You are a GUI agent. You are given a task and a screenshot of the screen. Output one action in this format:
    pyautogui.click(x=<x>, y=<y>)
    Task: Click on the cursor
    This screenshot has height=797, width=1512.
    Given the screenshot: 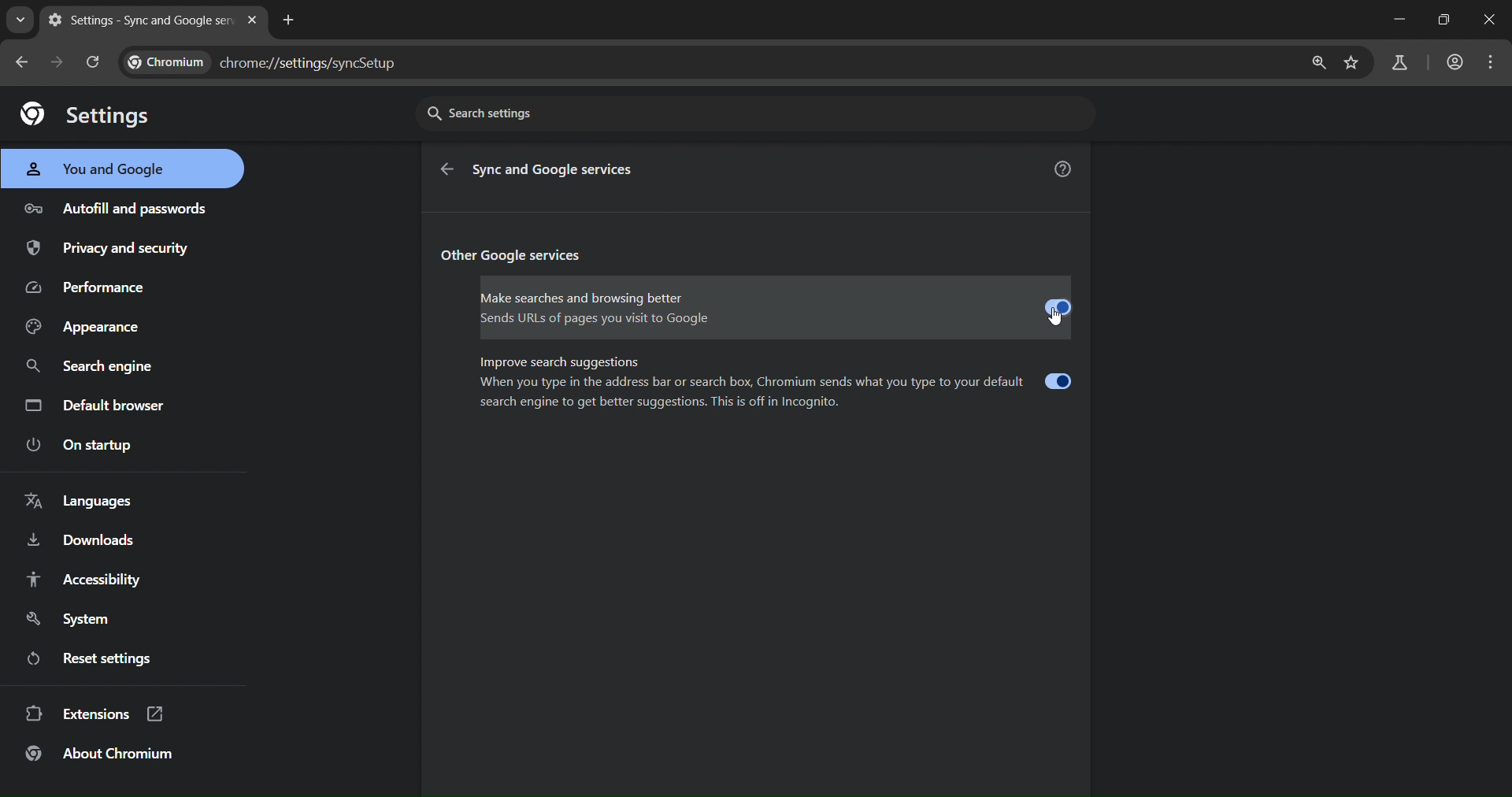 What is the action you would take?
    pyautogui.click(x=1055, y=321)
    